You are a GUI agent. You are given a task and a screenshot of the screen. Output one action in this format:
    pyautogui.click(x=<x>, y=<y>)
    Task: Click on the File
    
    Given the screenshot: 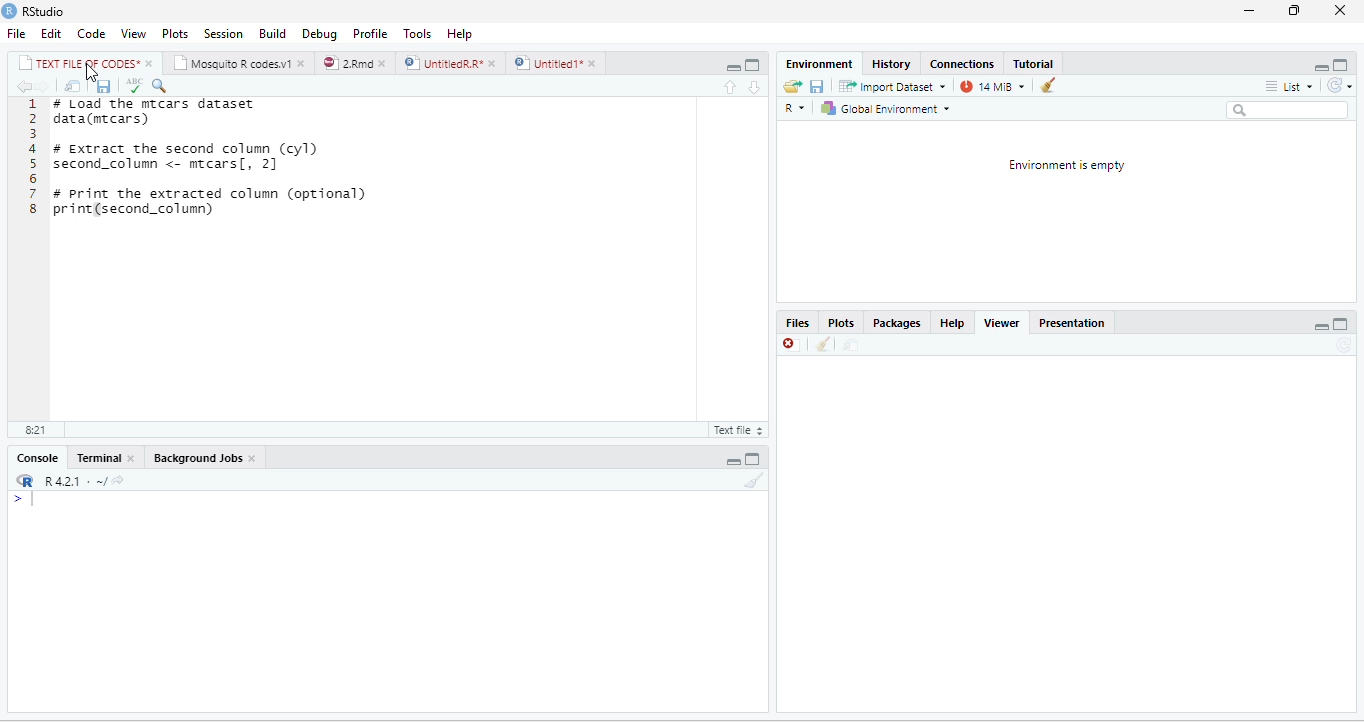 What is the action you would take?
    pyautogui.click(x=15, y=33)
    